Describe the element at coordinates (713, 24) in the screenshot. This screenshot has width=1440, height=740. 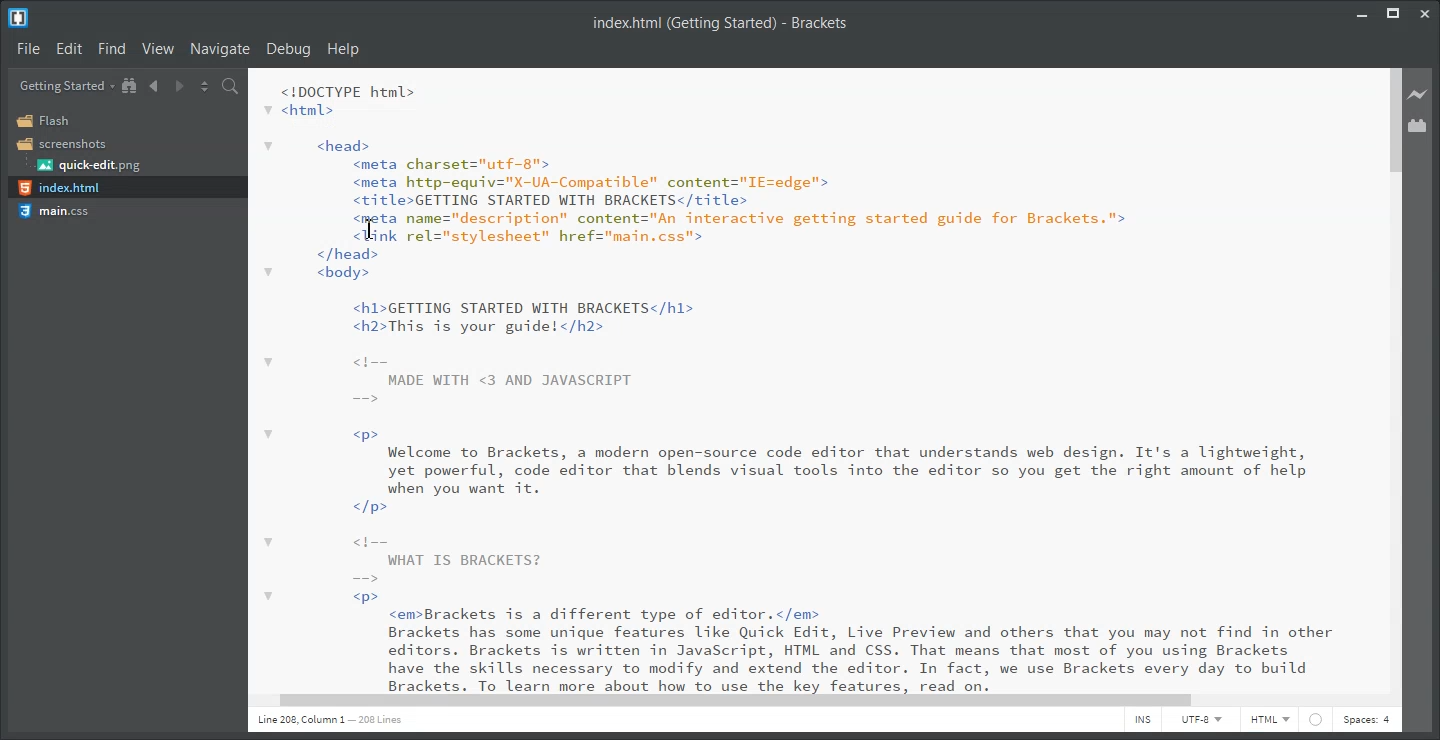
I see `index.html (Getting Started) - Brackets` at that location.